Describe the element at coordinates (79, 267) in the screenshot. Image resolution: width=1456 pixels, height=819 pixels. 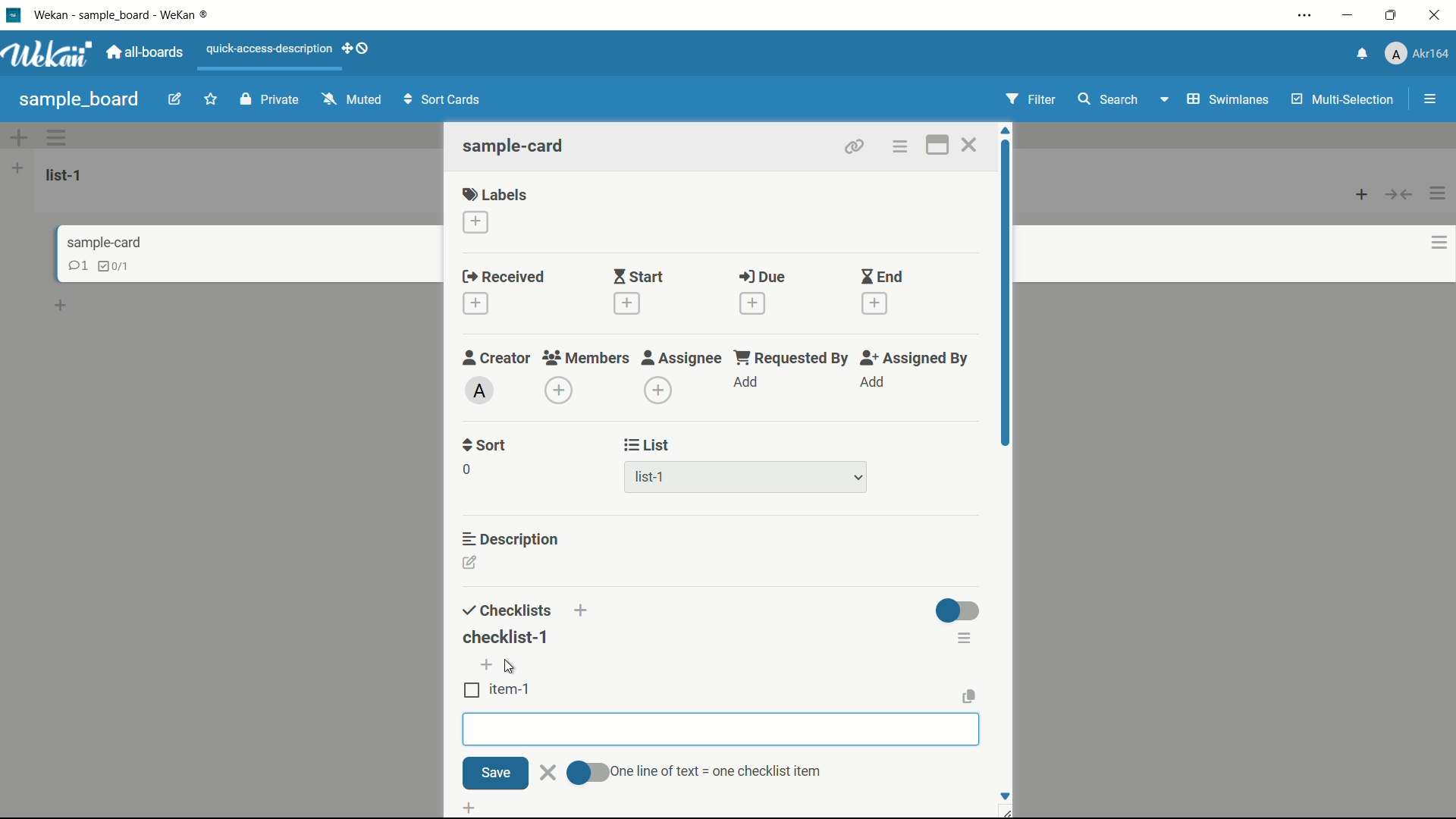
I see `comments` at that location.